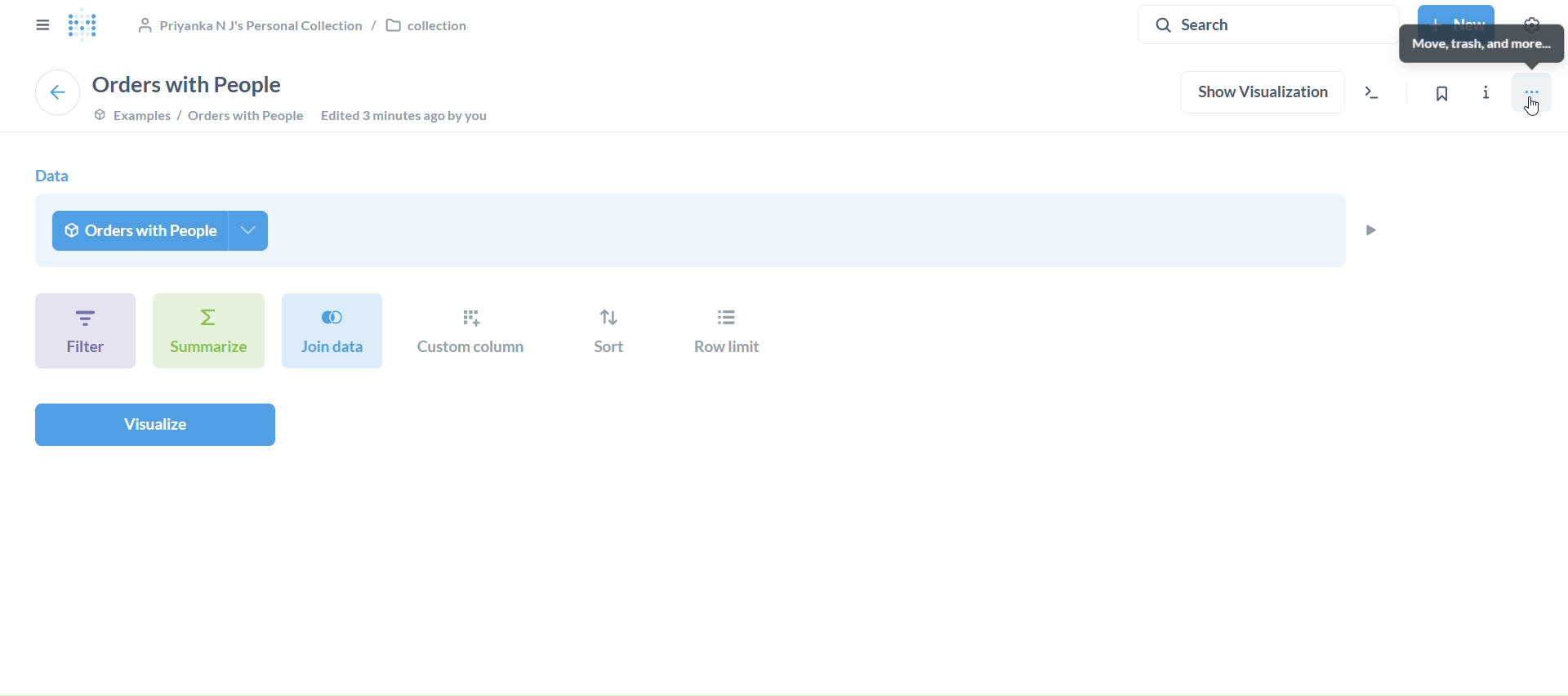 The width and height of the screenshot is (1568, 696). I want to click on custom column, so click(466, 332).